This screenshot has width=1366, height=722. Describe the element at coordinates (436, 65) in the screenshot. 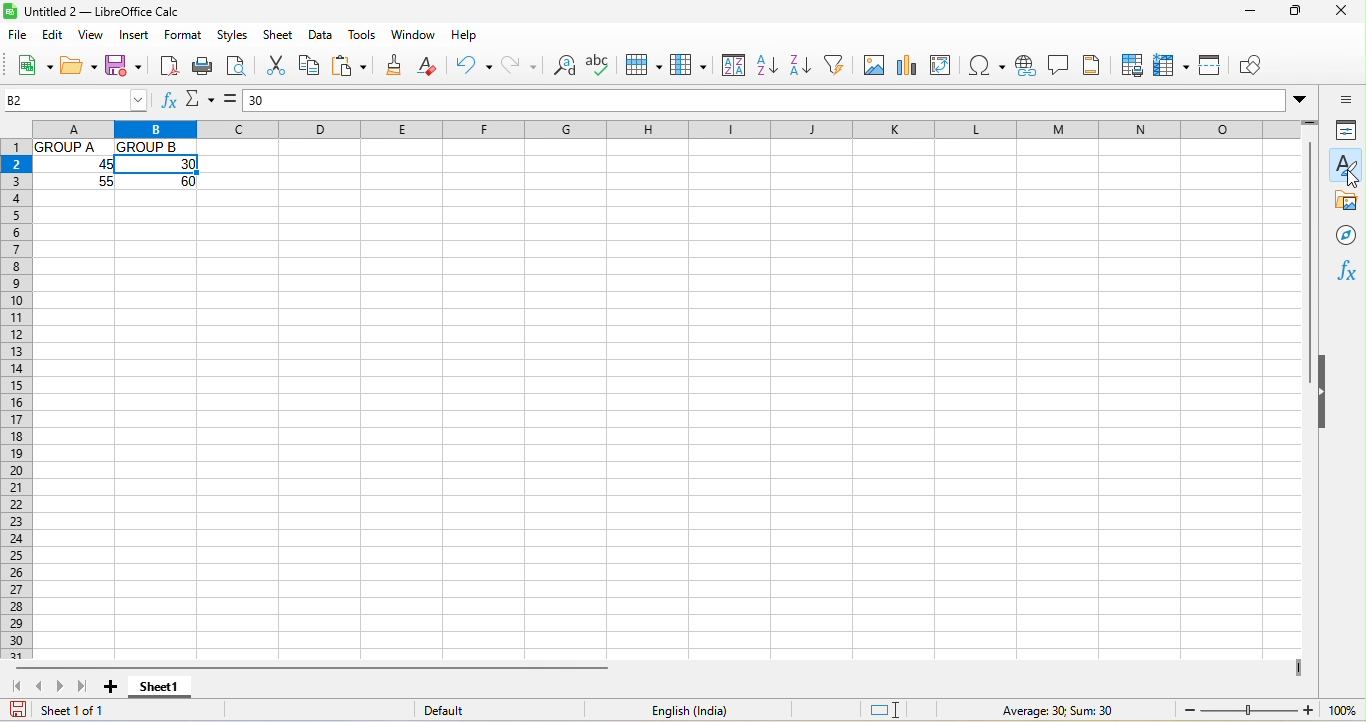

I see `clear formatting` at that location.